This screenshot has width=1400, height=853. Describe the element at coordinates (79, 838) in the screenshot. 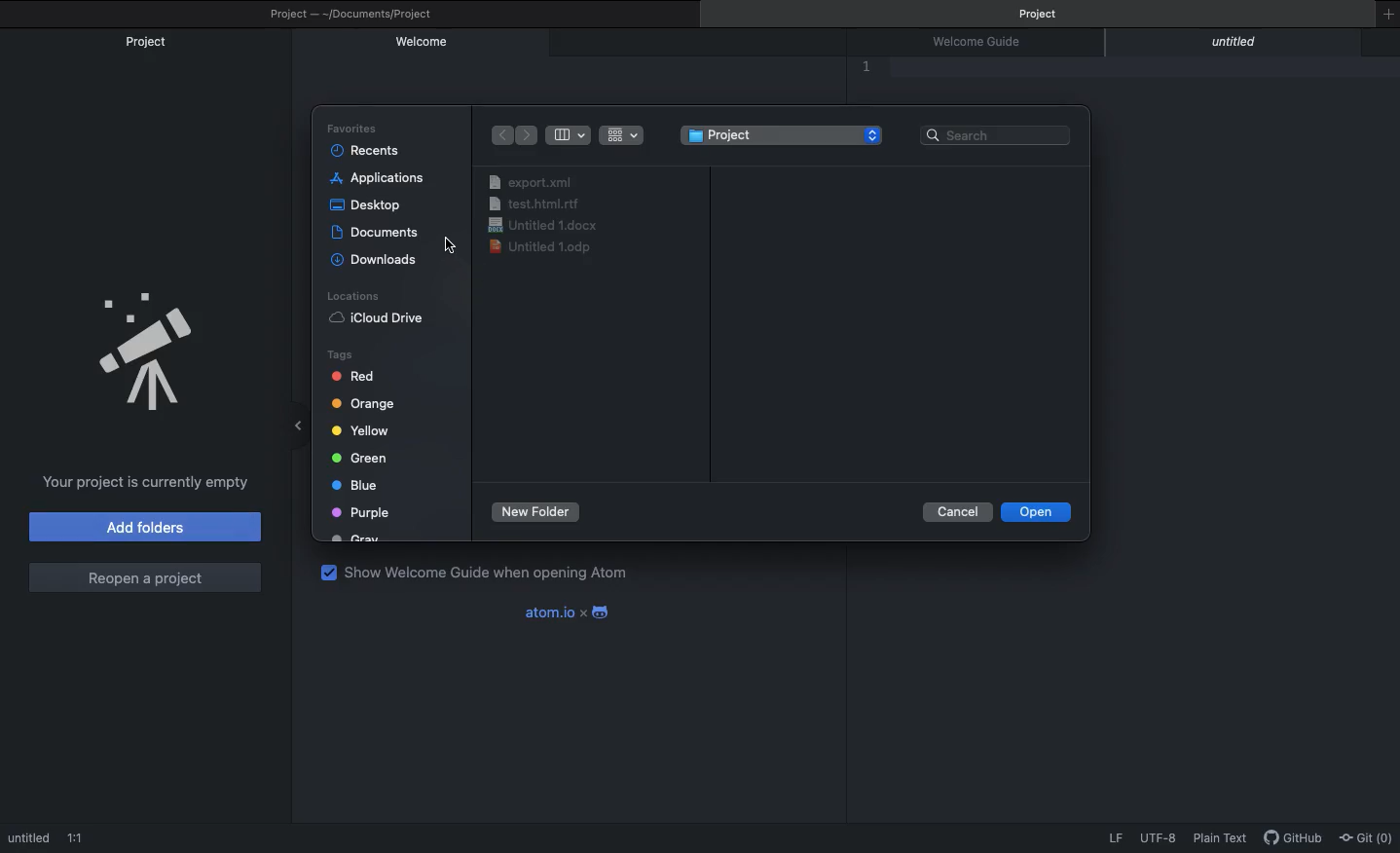

I see `1:!` at that location.